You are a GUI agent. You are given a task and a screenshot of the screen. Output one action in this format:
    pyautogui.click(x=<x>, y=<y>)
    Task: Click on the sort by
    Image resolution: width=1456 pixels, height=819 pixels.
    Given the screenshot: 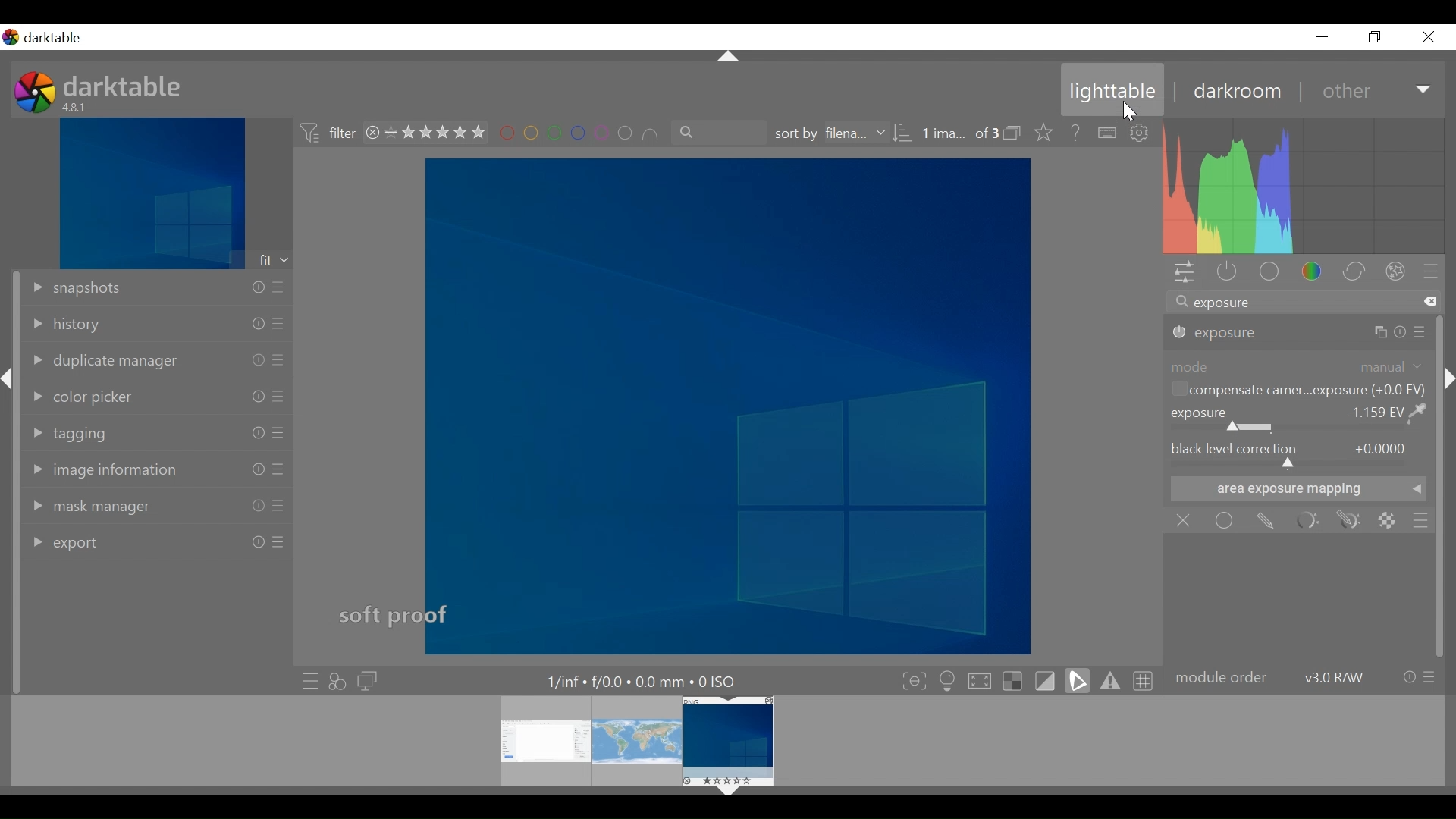 What is the action you would take?
    pyautogui.click(x=830, y=133)
    